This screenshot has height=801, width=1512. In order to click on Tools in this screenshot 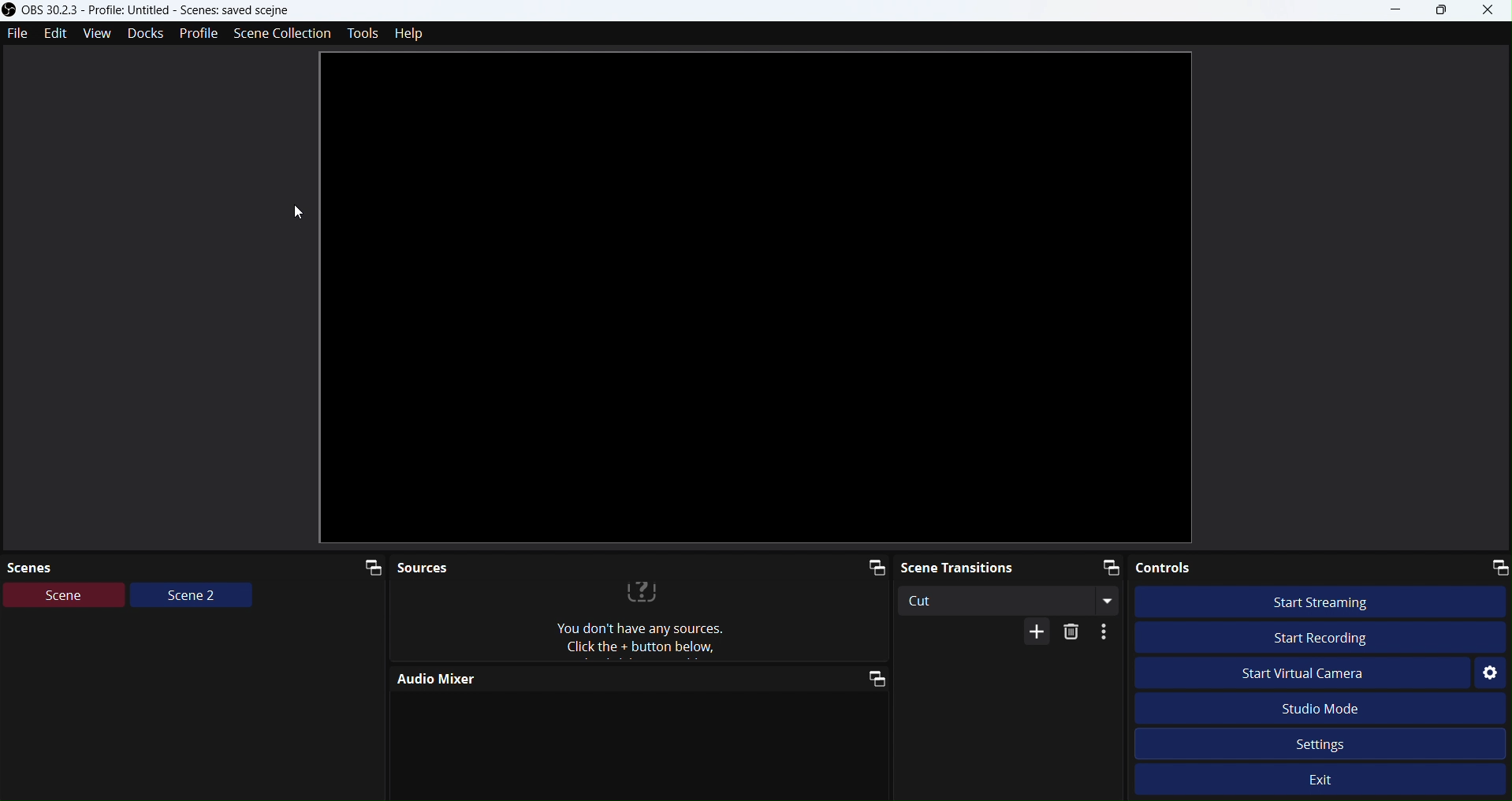, I will do `click(367, 33)`.